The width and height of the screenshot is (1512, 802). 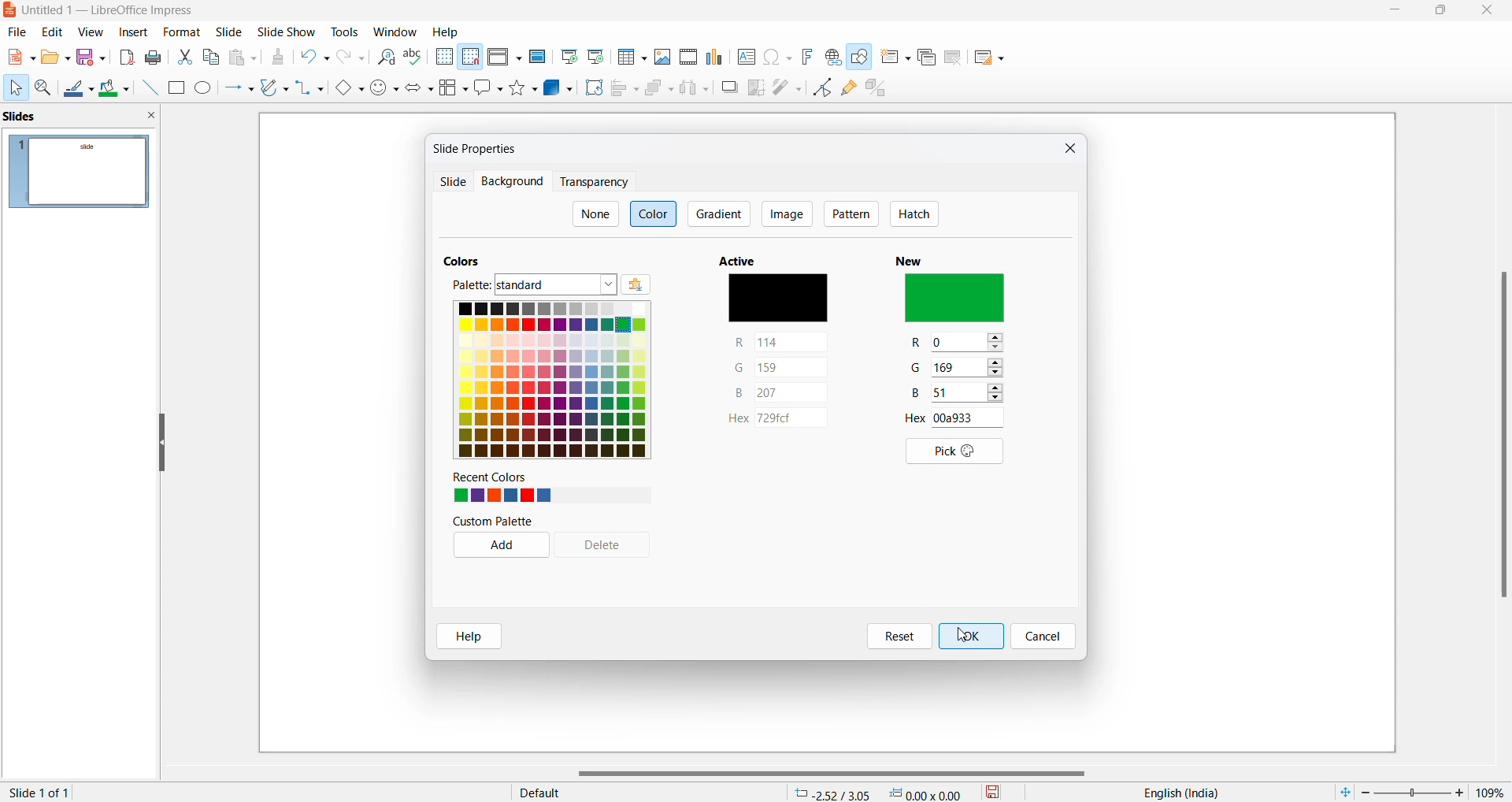 What do you see at coordinates (454, 87) in the screenshot?
I see `flow chart ` at bounding box center [454, 87].